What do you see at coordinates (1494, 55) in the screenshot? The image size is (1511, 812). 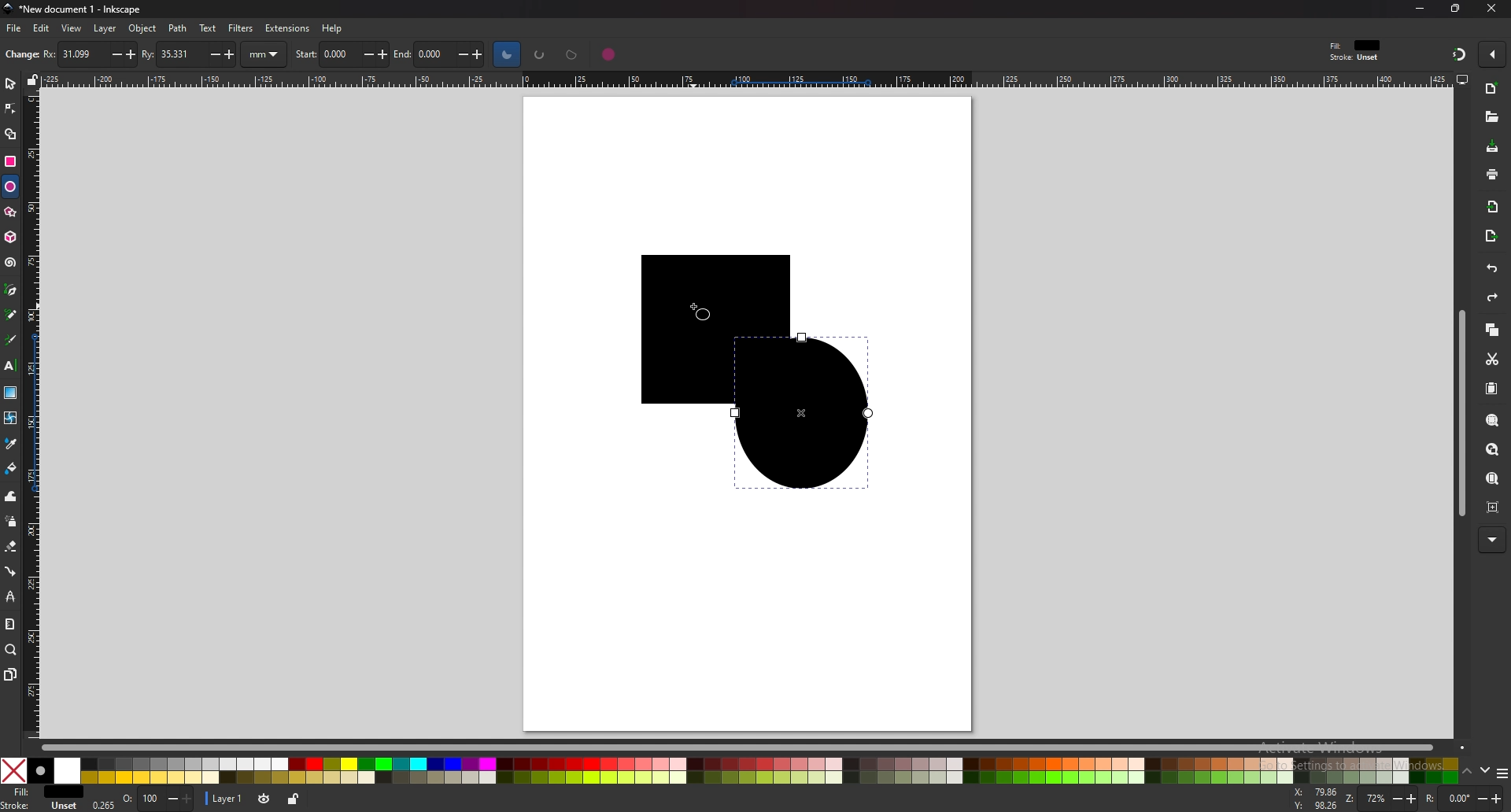 I see `enable snapping` at bounding box center [1494, 55].